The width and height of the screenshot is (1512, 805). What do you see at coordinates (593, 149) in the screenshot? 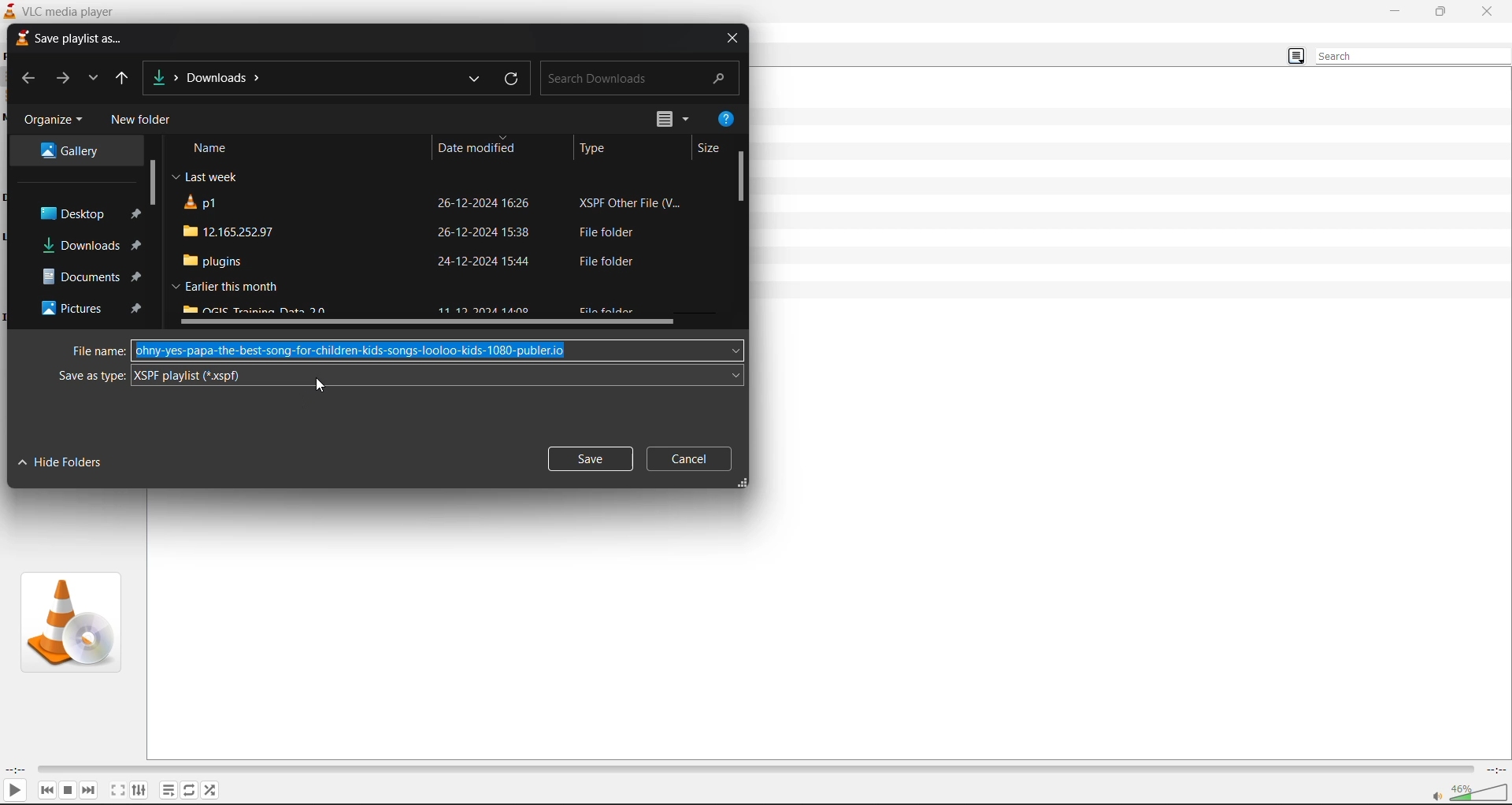
I see `type` at bounding box center [593, 149].